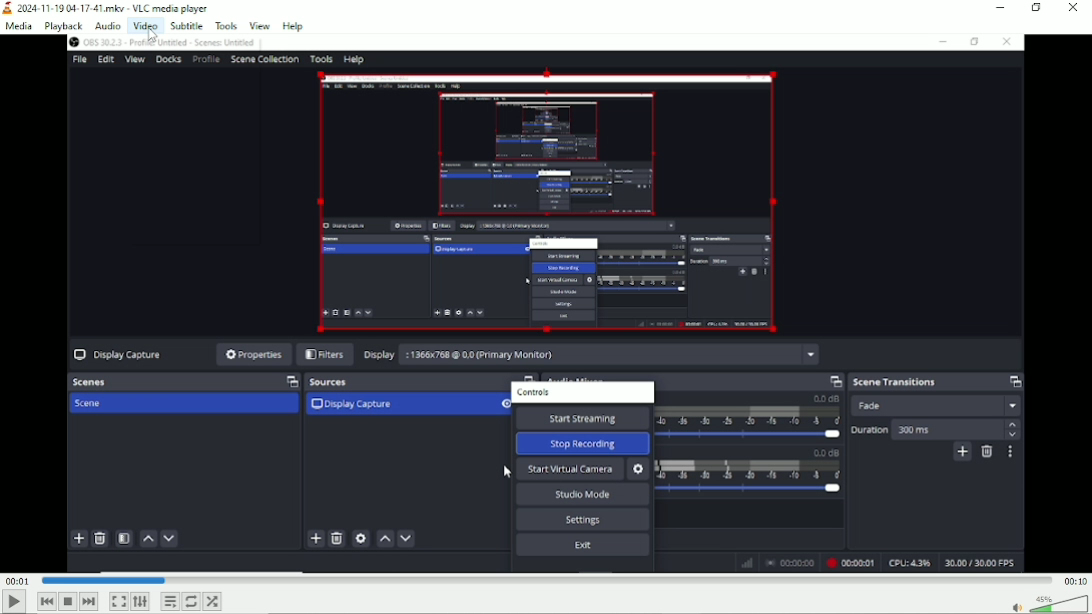  What do you see at coordinates (1072, 10) in the screenshot?
I see `Close` at bounding box center [1072, 10].